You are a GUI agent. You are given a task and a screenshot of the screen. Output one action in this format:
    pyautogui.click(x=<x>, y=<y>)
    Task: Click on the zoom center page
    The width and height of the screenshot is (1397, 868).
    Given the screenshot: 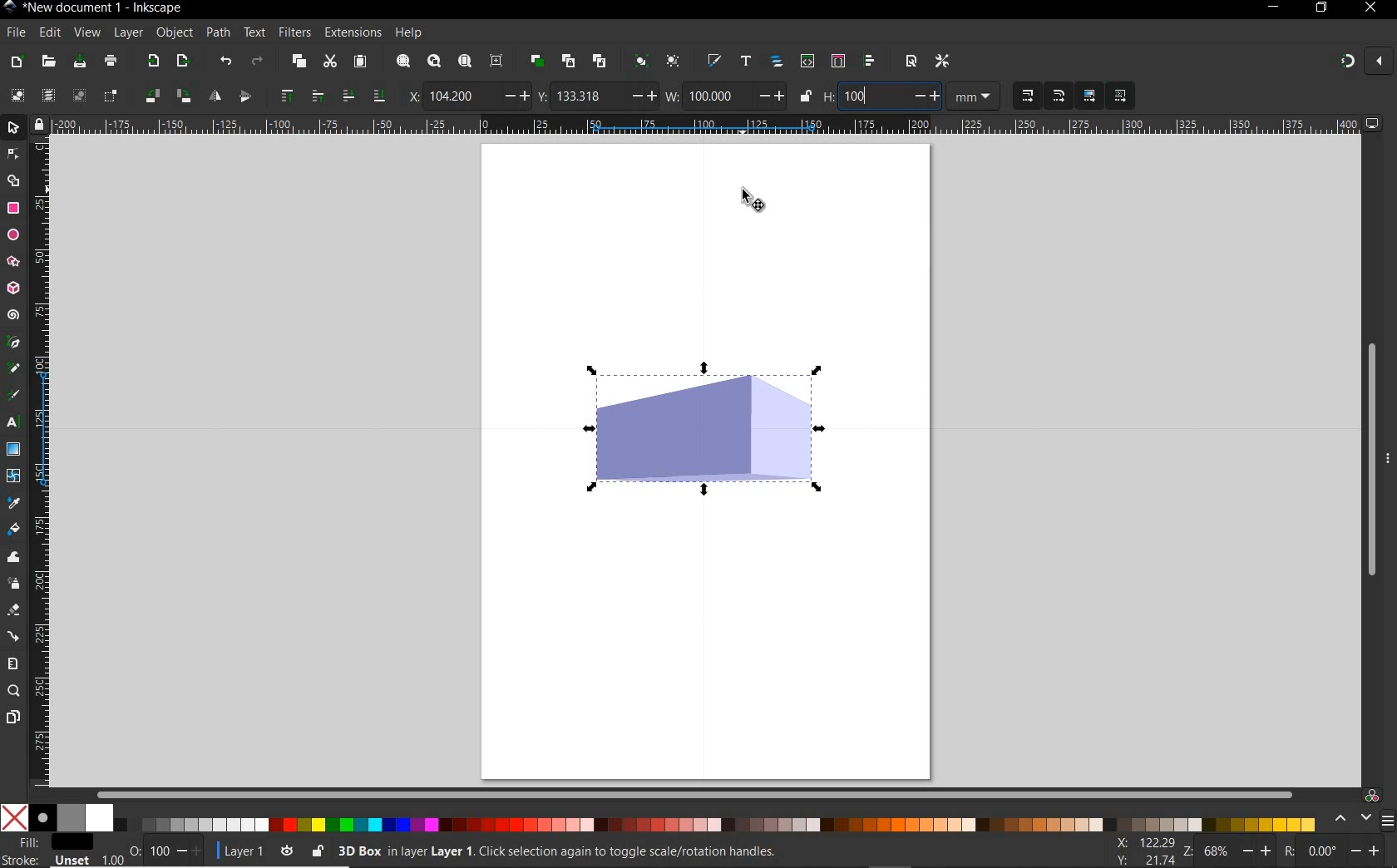 What is the action you would take?
    pyautogui.click(x=496, y=60)
    